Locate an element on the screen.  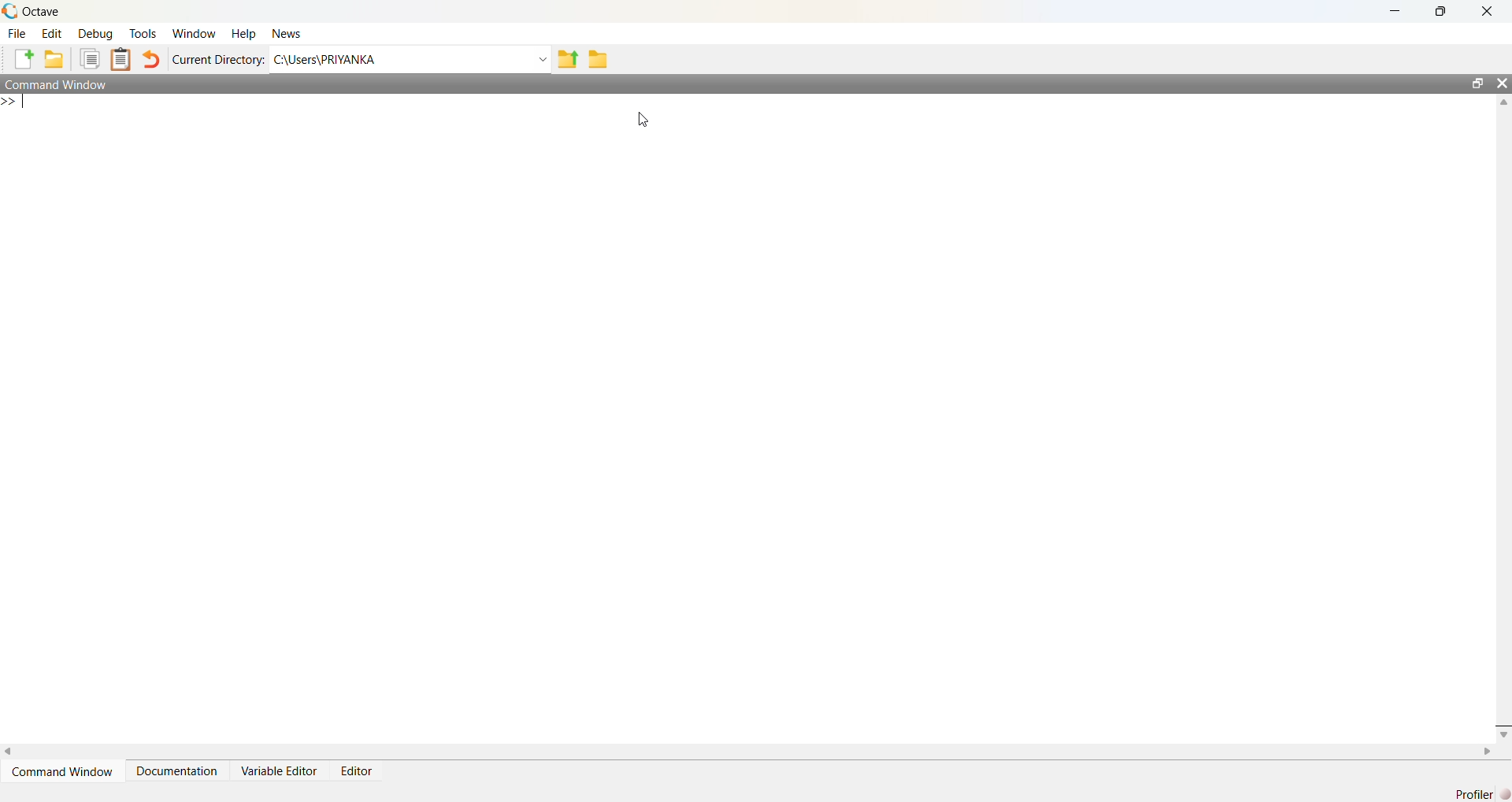
restore is located at coordinates (1440, 12).